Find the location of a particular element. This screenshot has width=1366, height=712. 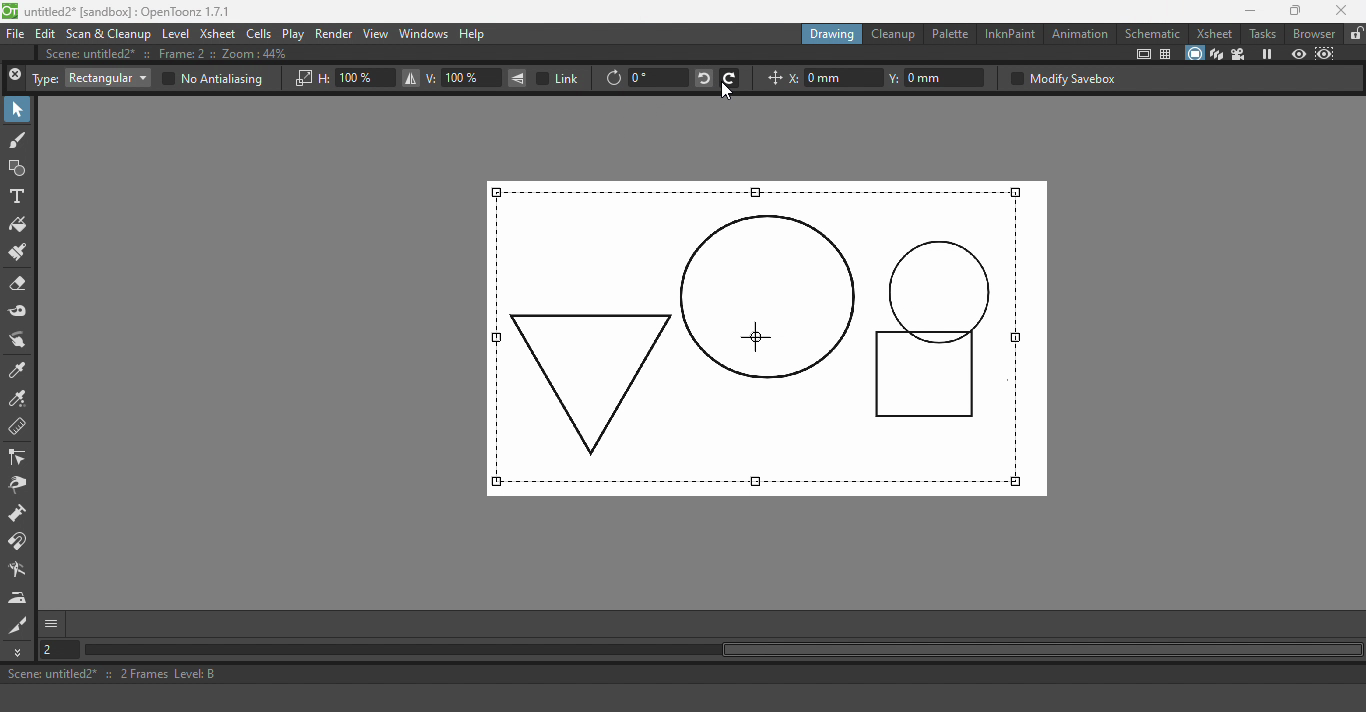

Field guide is located at coordinates (1168, 55).